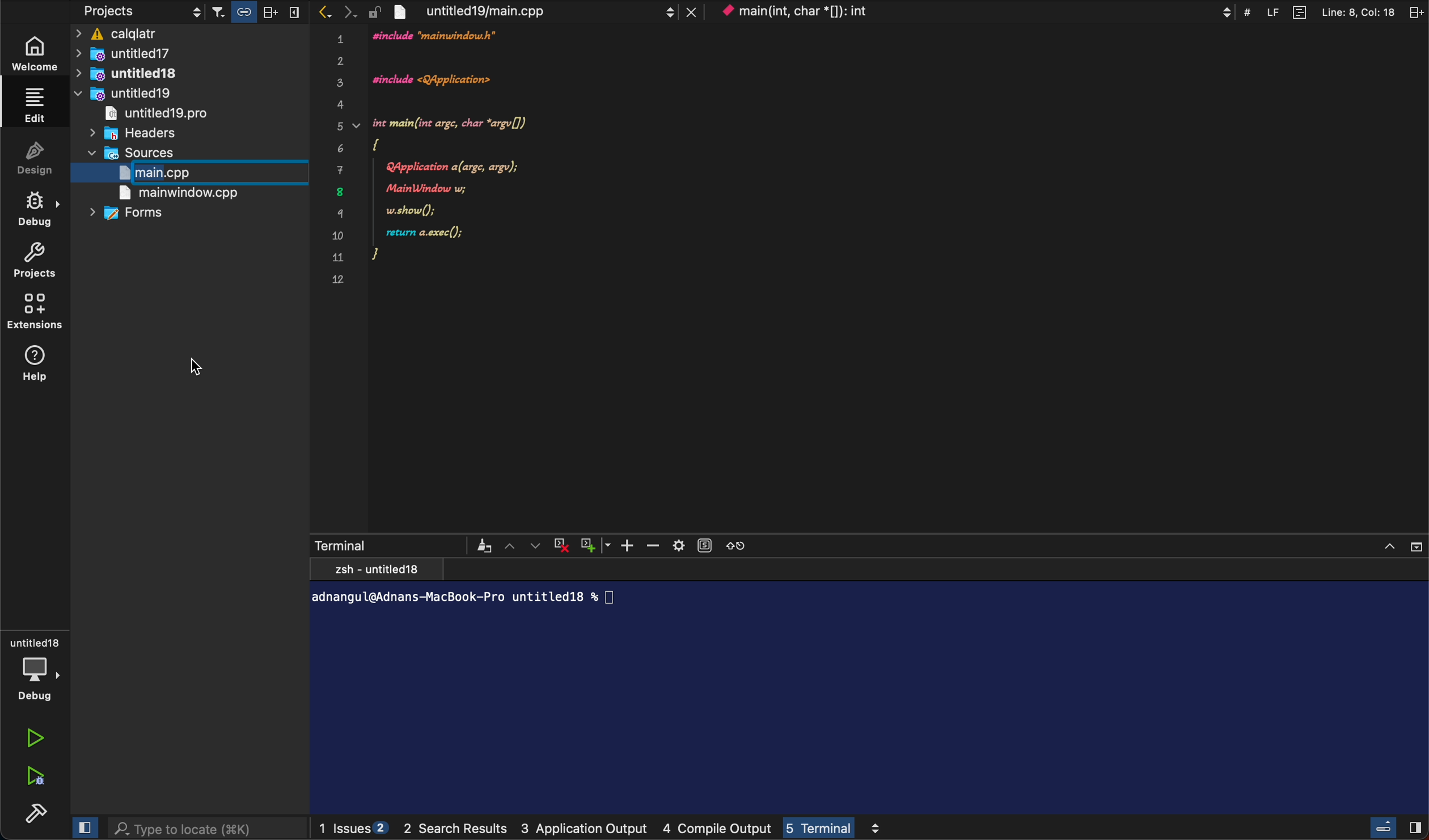  Describe the element at coordinates (561, 545) in the screenshot. I see `Close Terminal` at that location.